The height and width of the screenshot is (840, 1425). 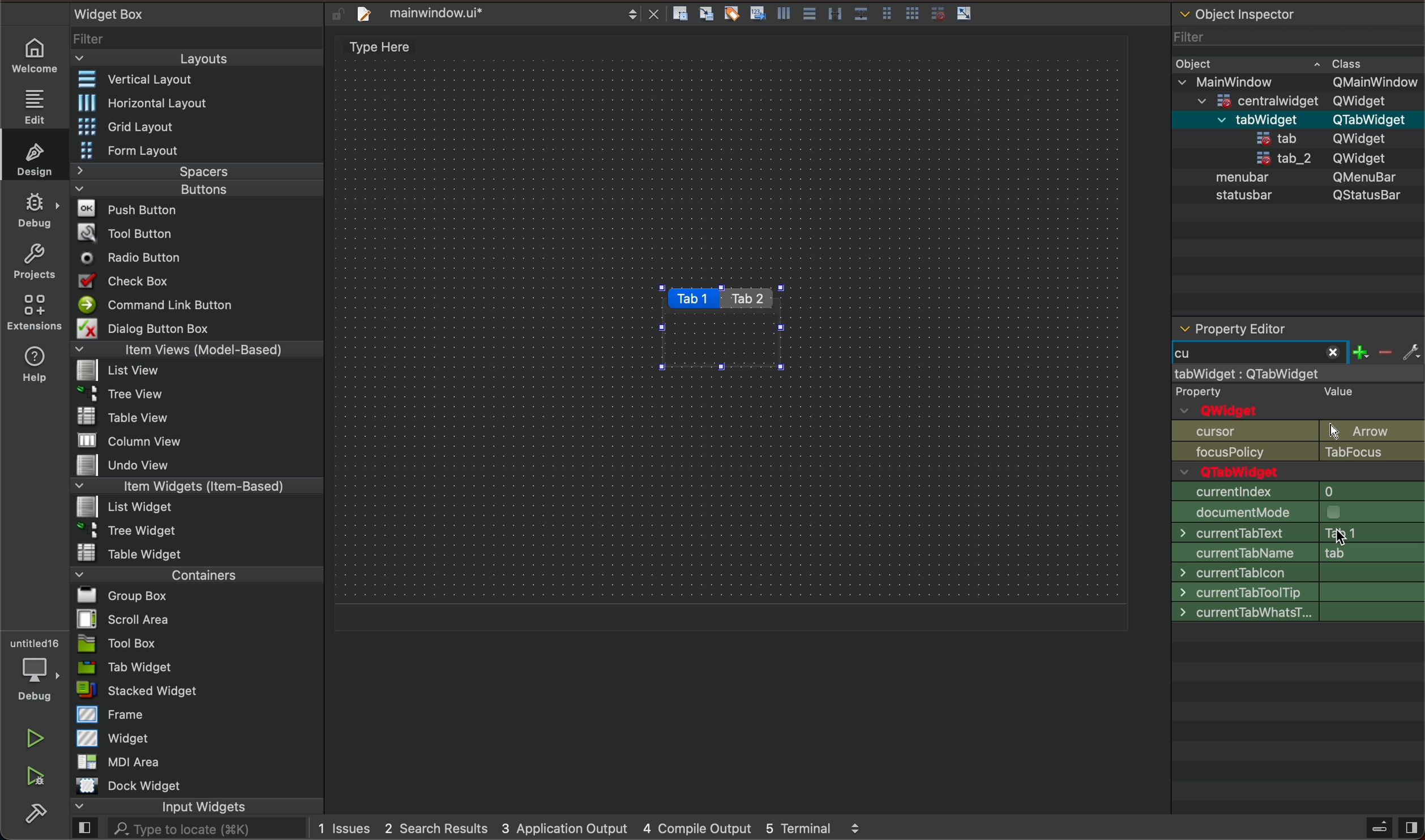 What do you see at coordinates (42, 777) in the screenshot?
I see `run and debuh` at bounding box center [42, 777].